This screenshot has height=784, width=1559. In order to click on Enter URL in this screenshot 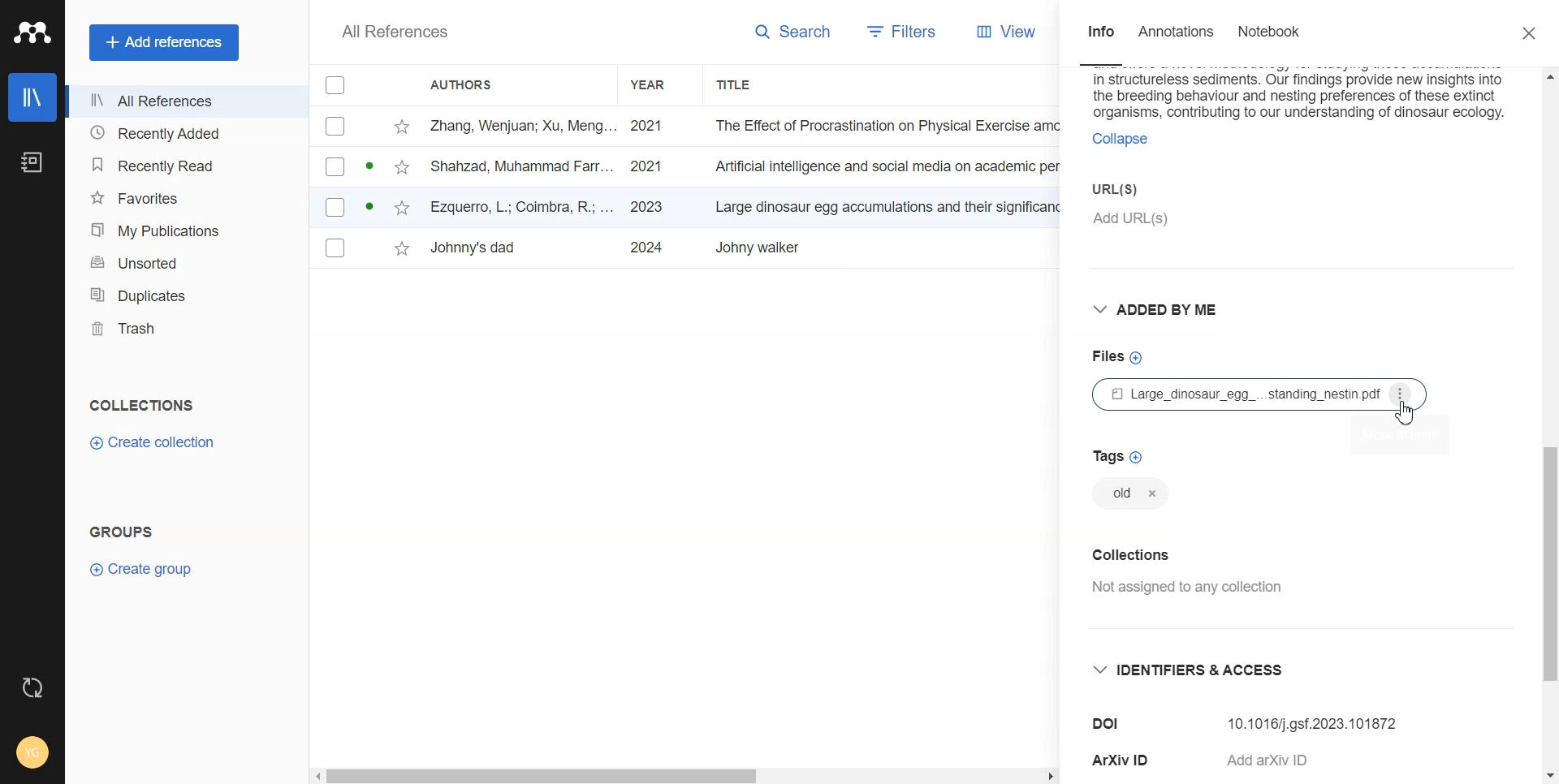, I will do `click(1228, 204)`.